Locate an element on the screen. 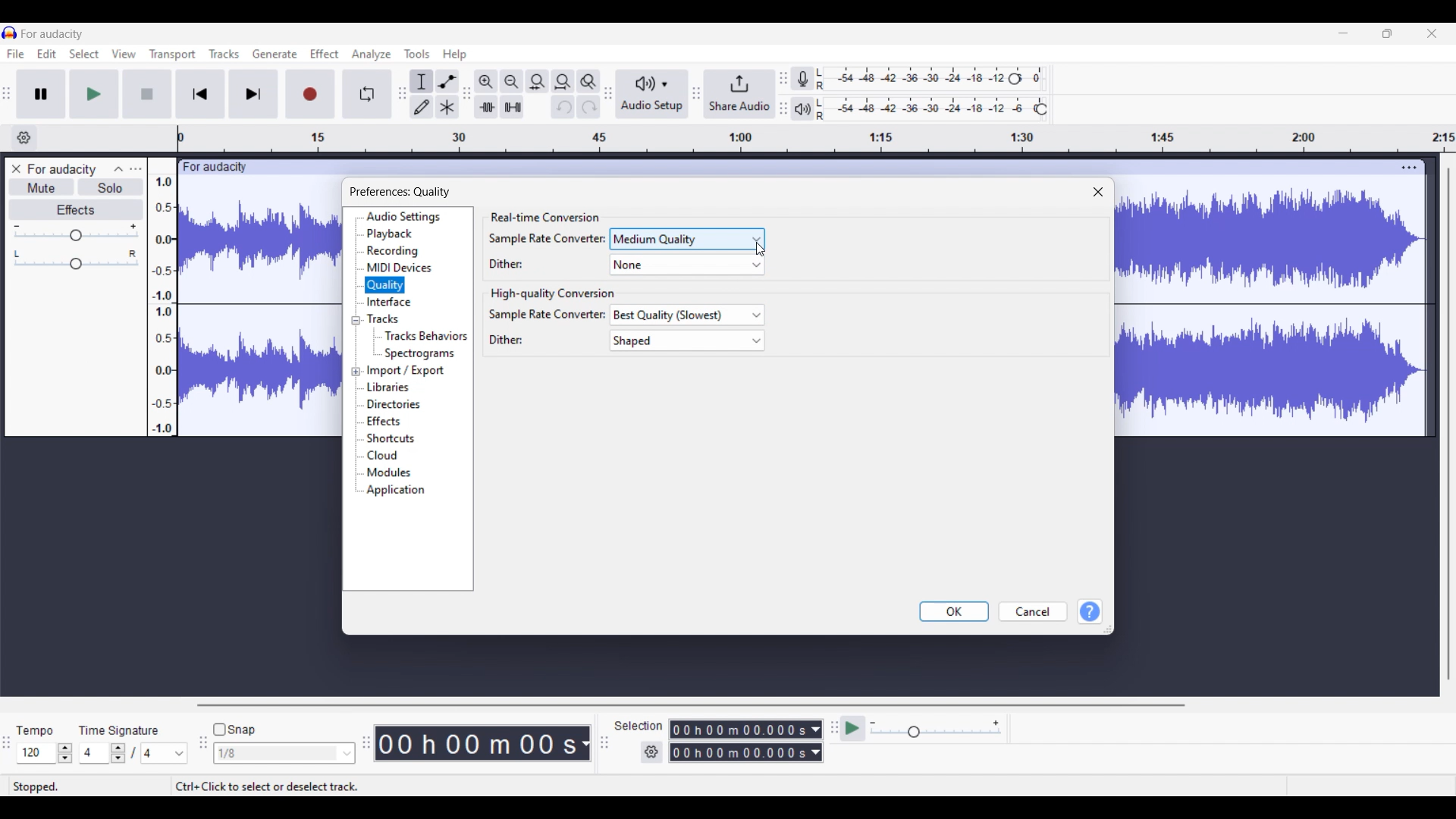  Import/Export  is located at coordinates (406, 372).